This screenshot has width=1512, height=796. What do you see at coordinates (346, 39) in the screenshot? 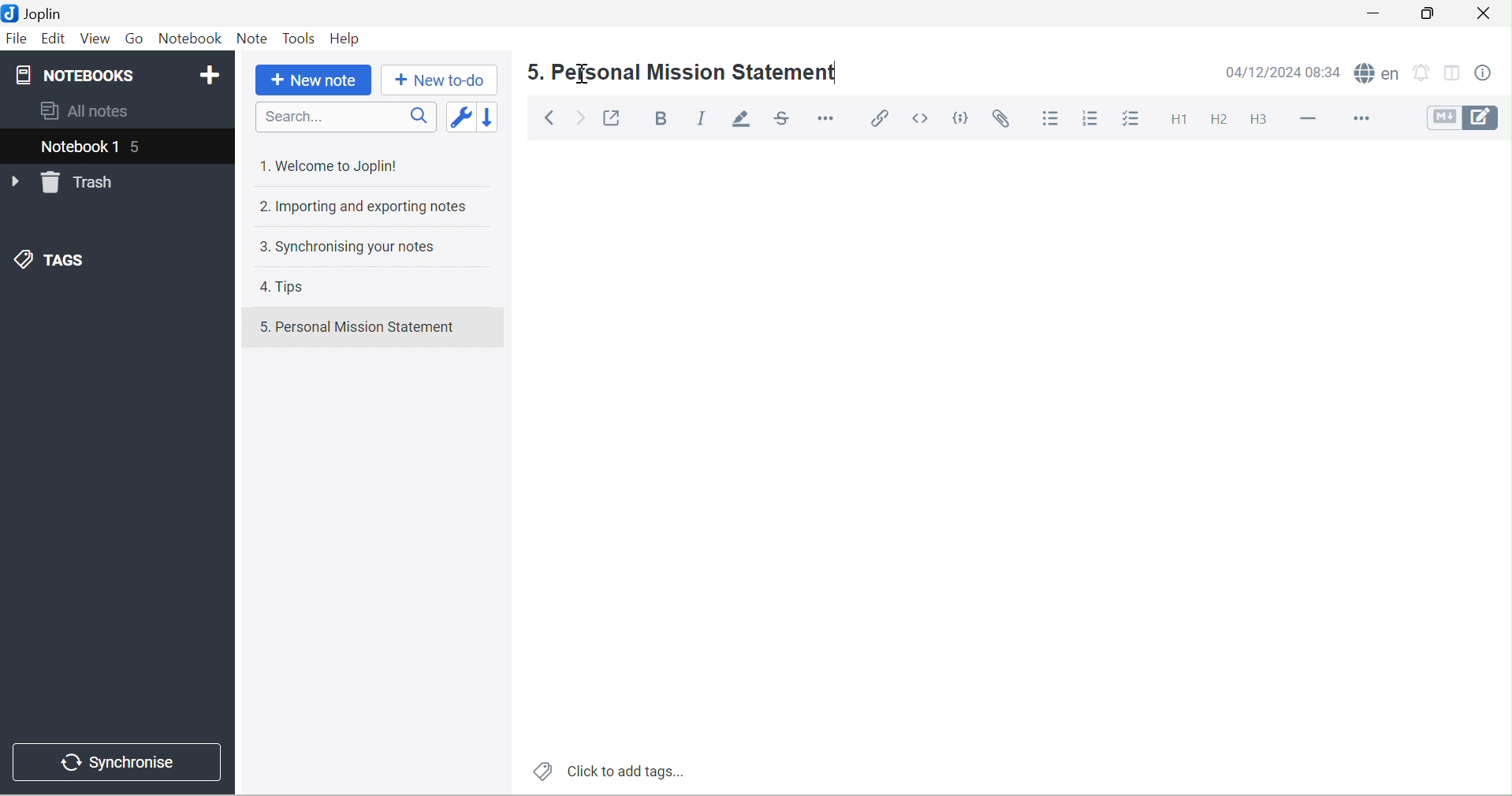
I see `Help` at bounding box center [346, 39].